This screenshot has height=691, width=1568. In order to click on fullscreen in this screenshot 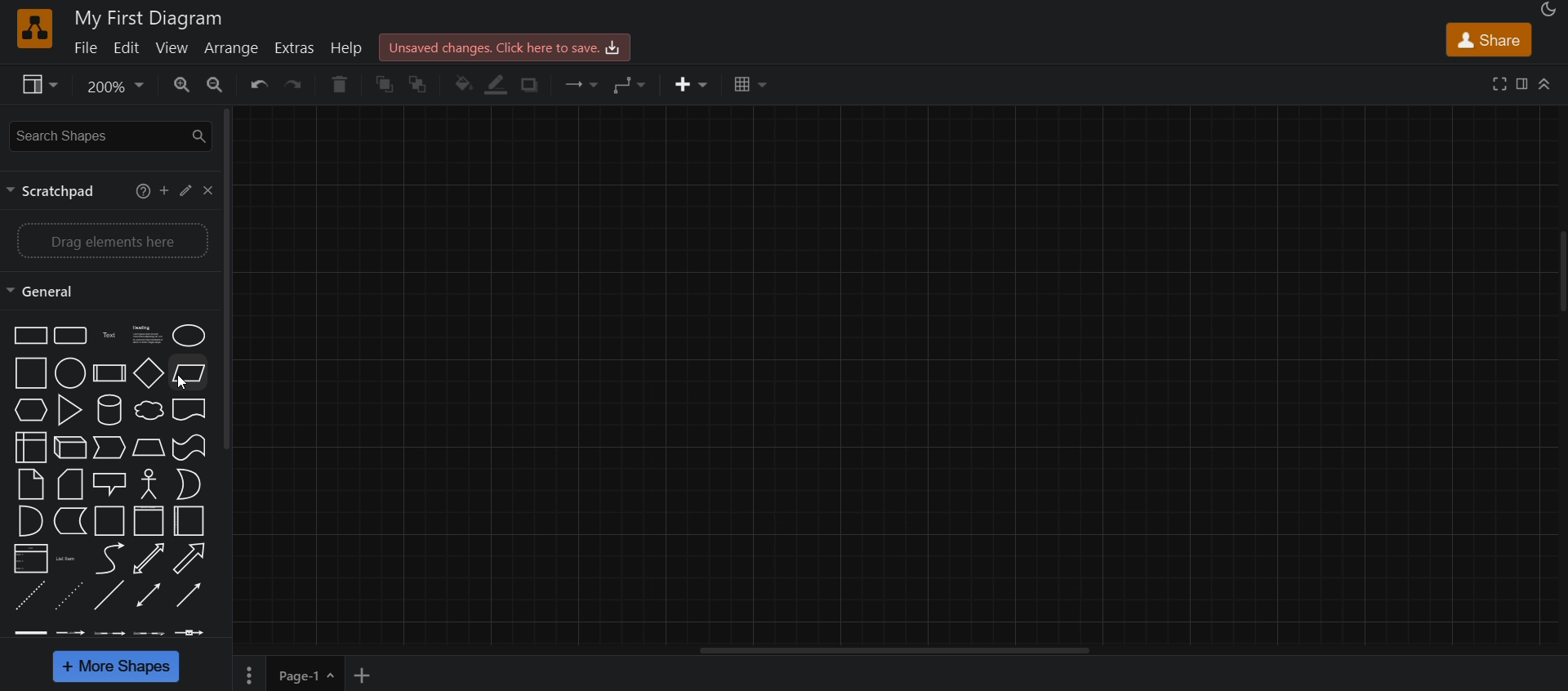, I will do `click(1496, 82)`.